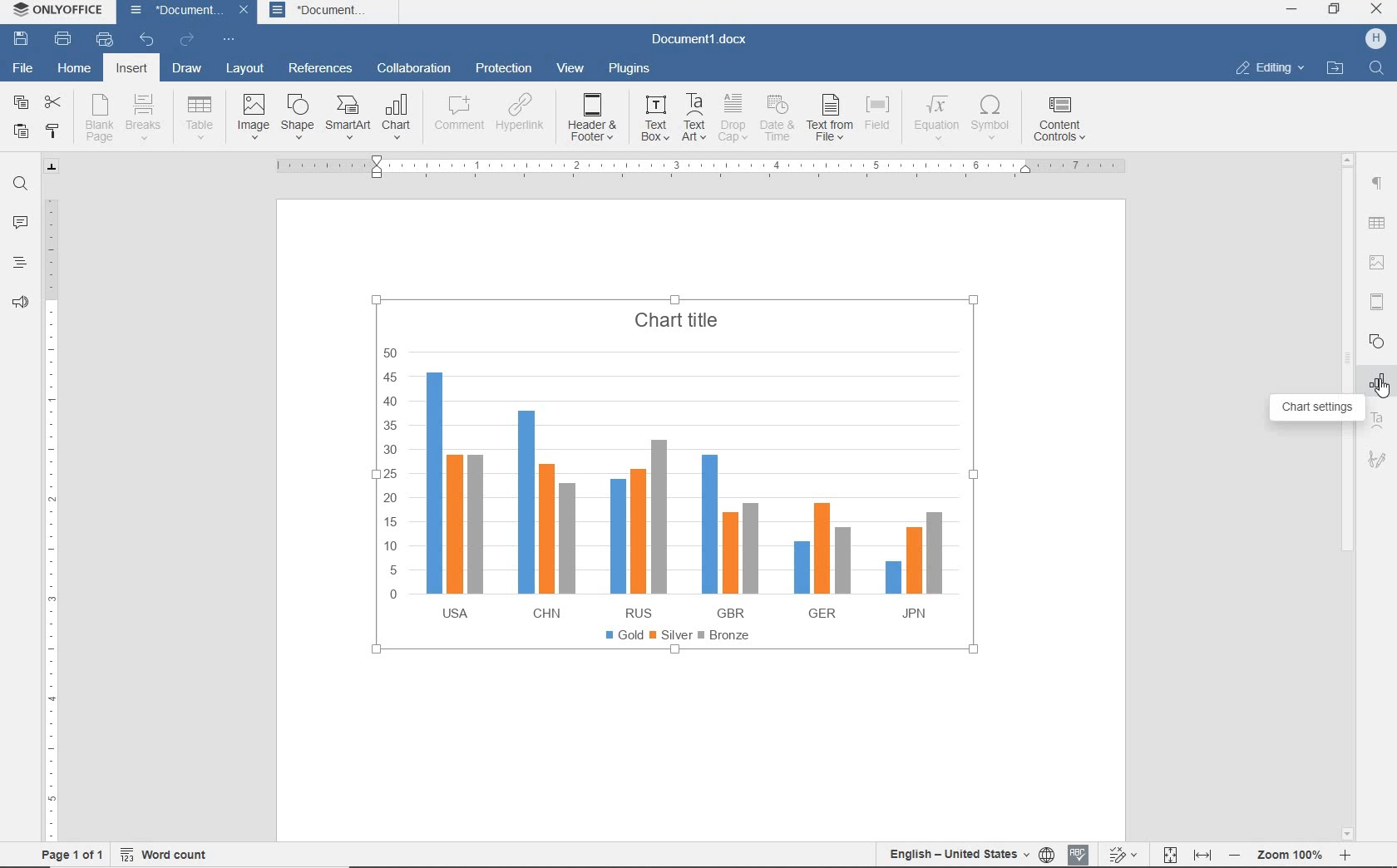 This screenshot has height=868, width=1397. Describe the element at coordinates (1378, 11) in the screenshot. I see `close` at that location.